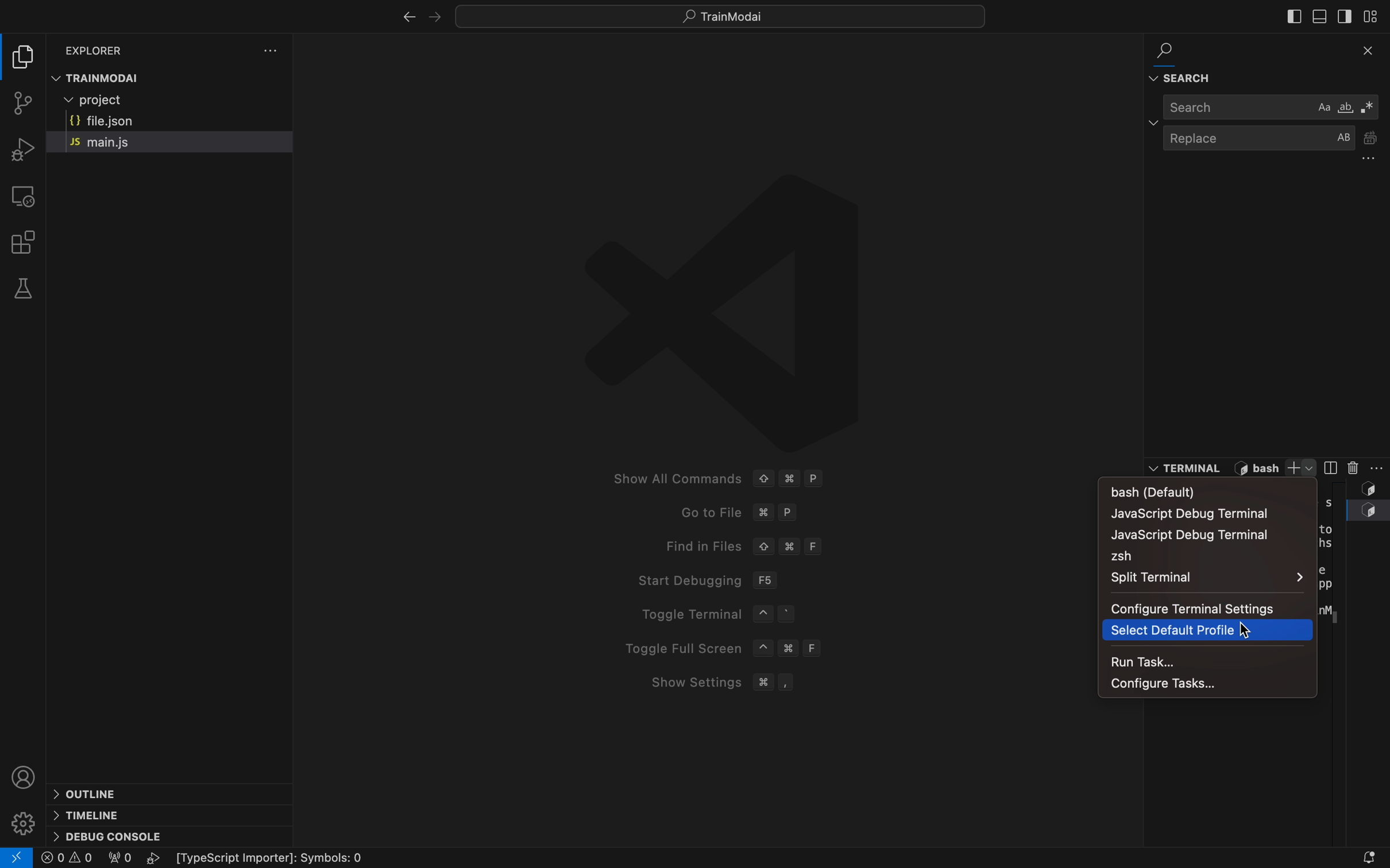  Describe the element at coordinates (1263, 63) in the screenshot. I see `find and replace` at that location.